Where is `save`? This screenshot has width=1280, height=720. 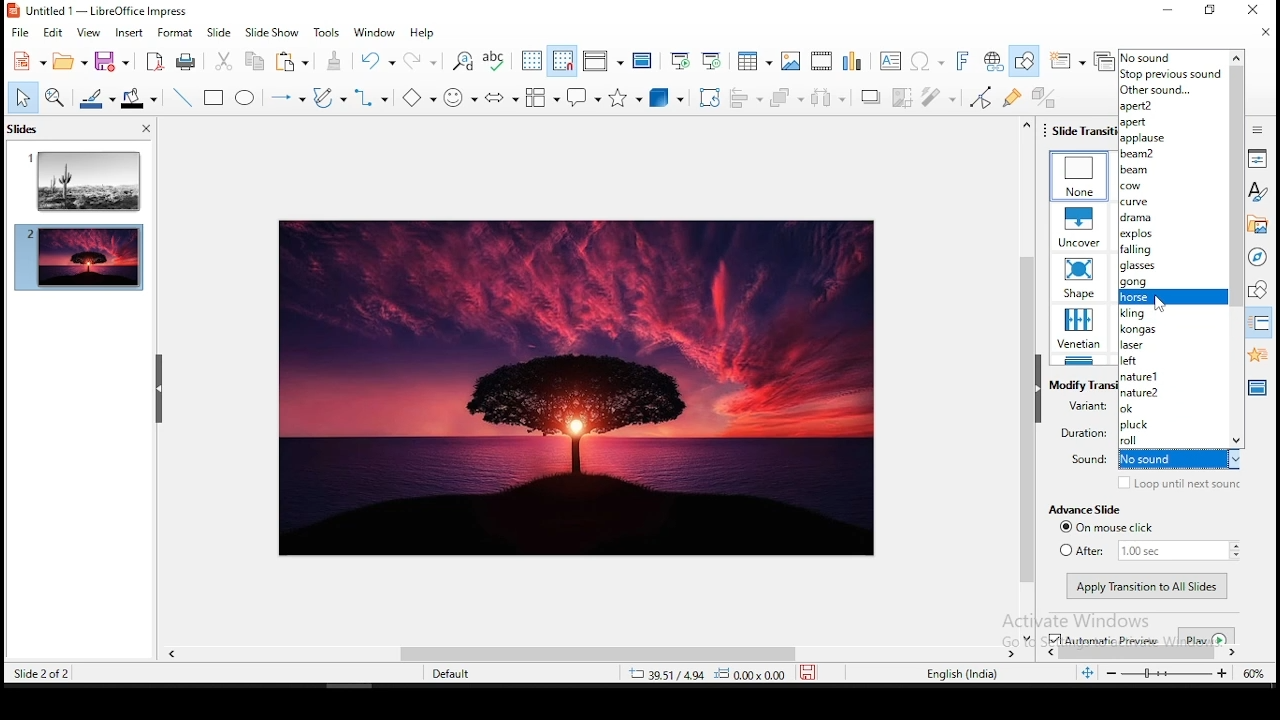
save is located at coordinates (806, 676).